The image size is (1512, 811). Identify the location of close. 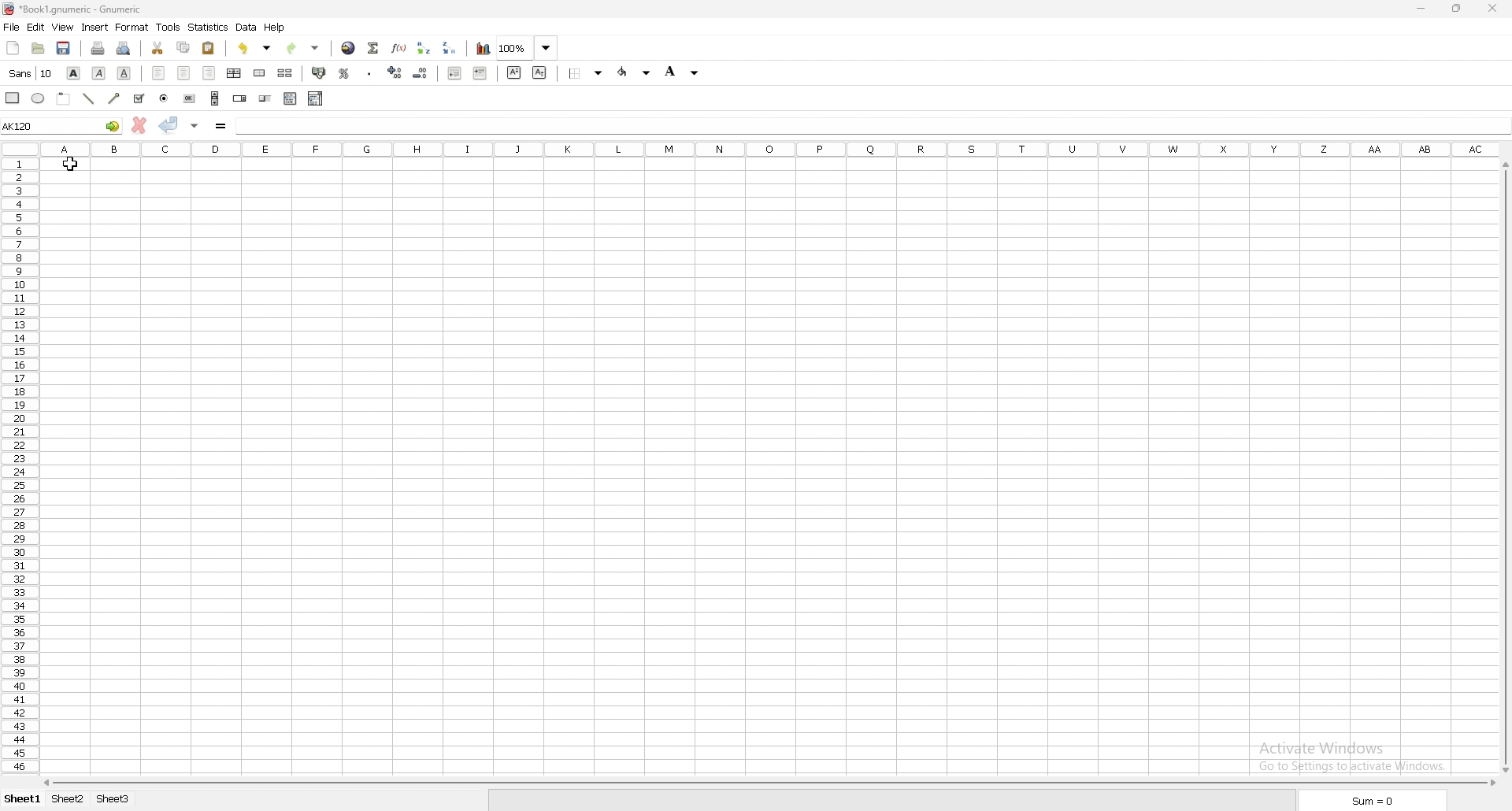
(1492, 7).